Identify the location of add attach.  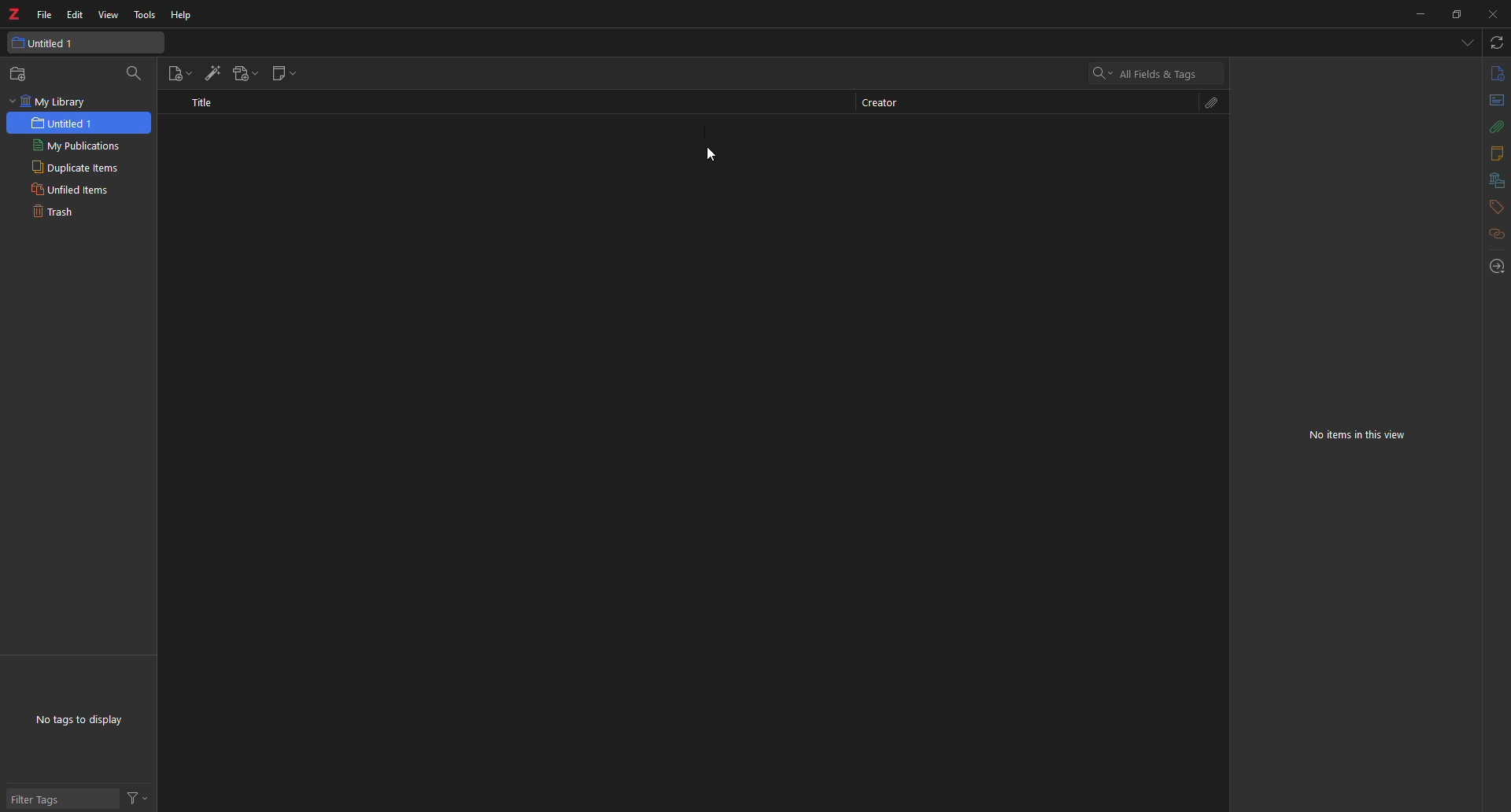
(247, 73).